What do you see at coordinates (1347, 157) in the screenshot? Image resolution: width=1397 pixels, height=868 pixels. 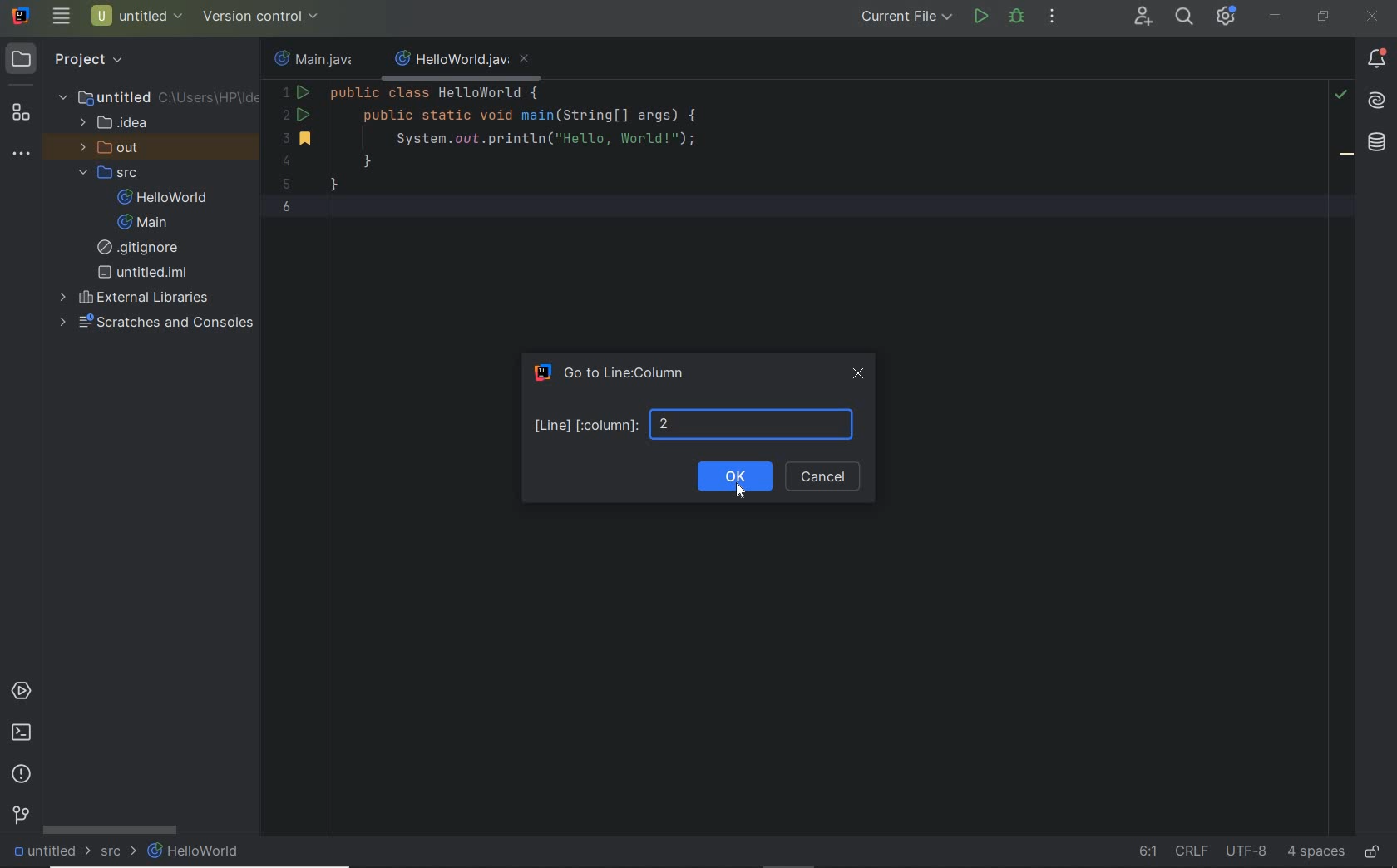 I see `bookmark` at bounding box center [1347, 157].